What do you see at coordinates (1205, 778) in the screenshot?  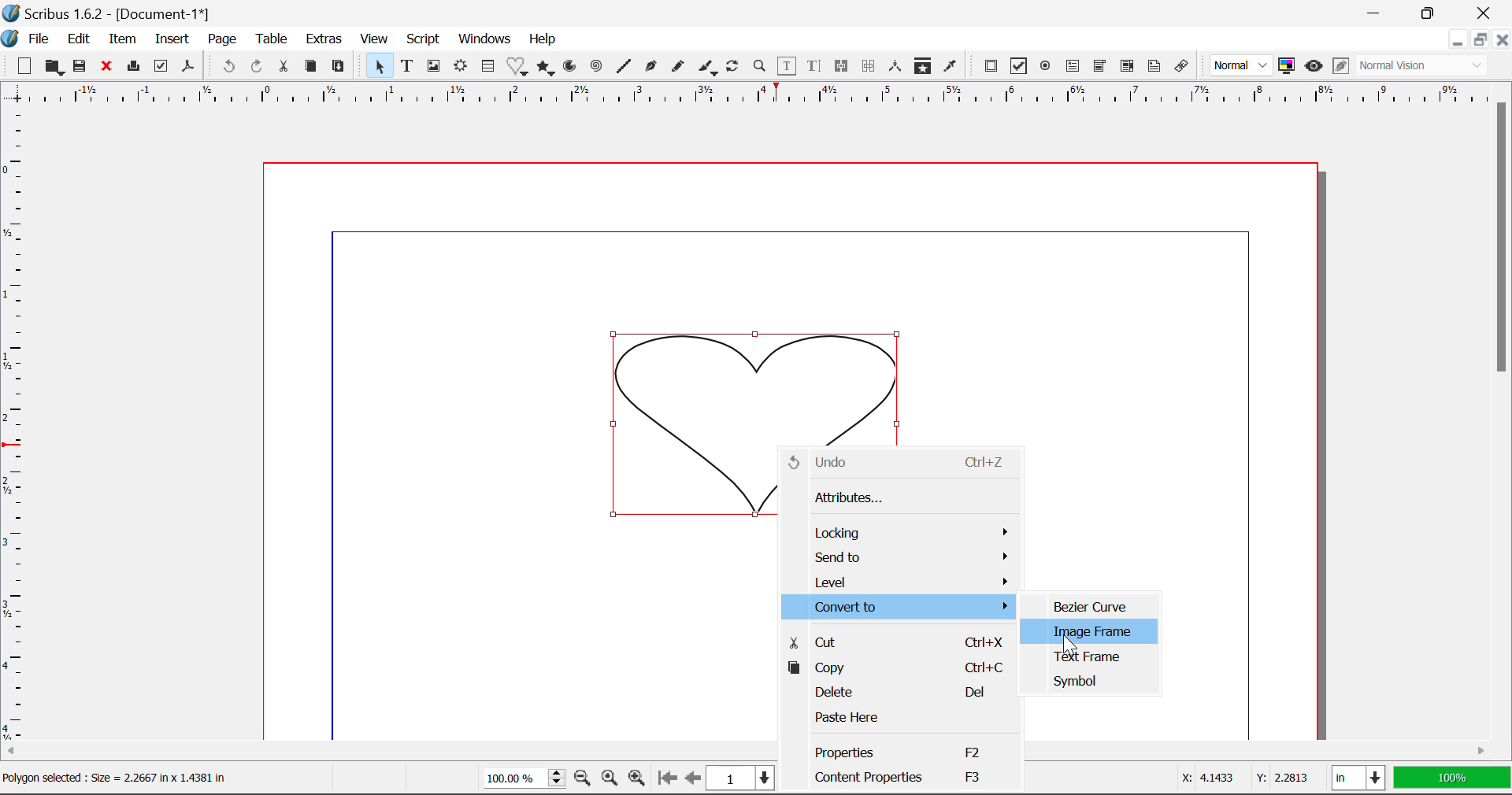 I see `X: 4.1433` at bounding box center [1205, 778].